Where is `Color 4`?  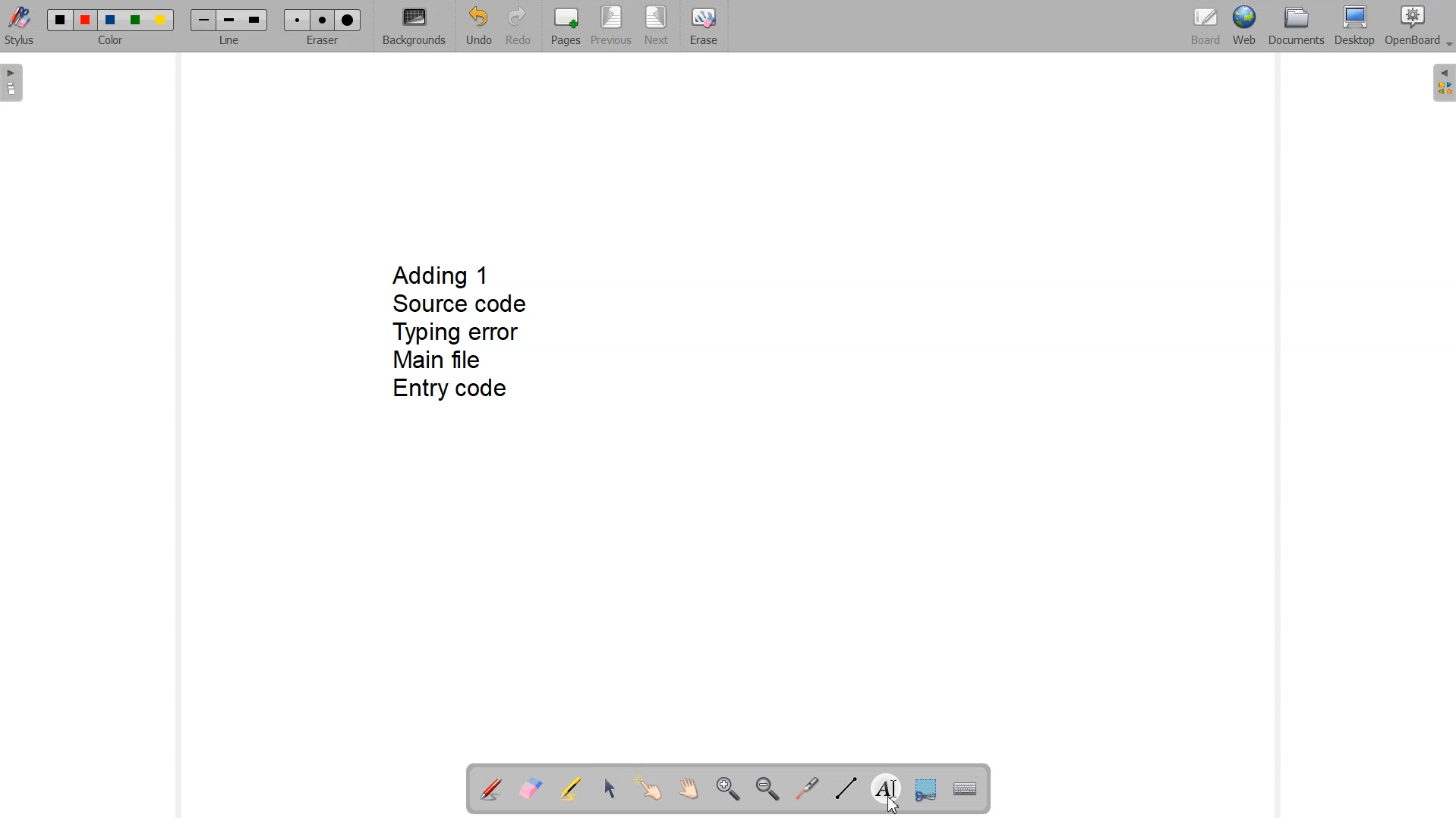 Color 4 is located at coordinates (137, 20).